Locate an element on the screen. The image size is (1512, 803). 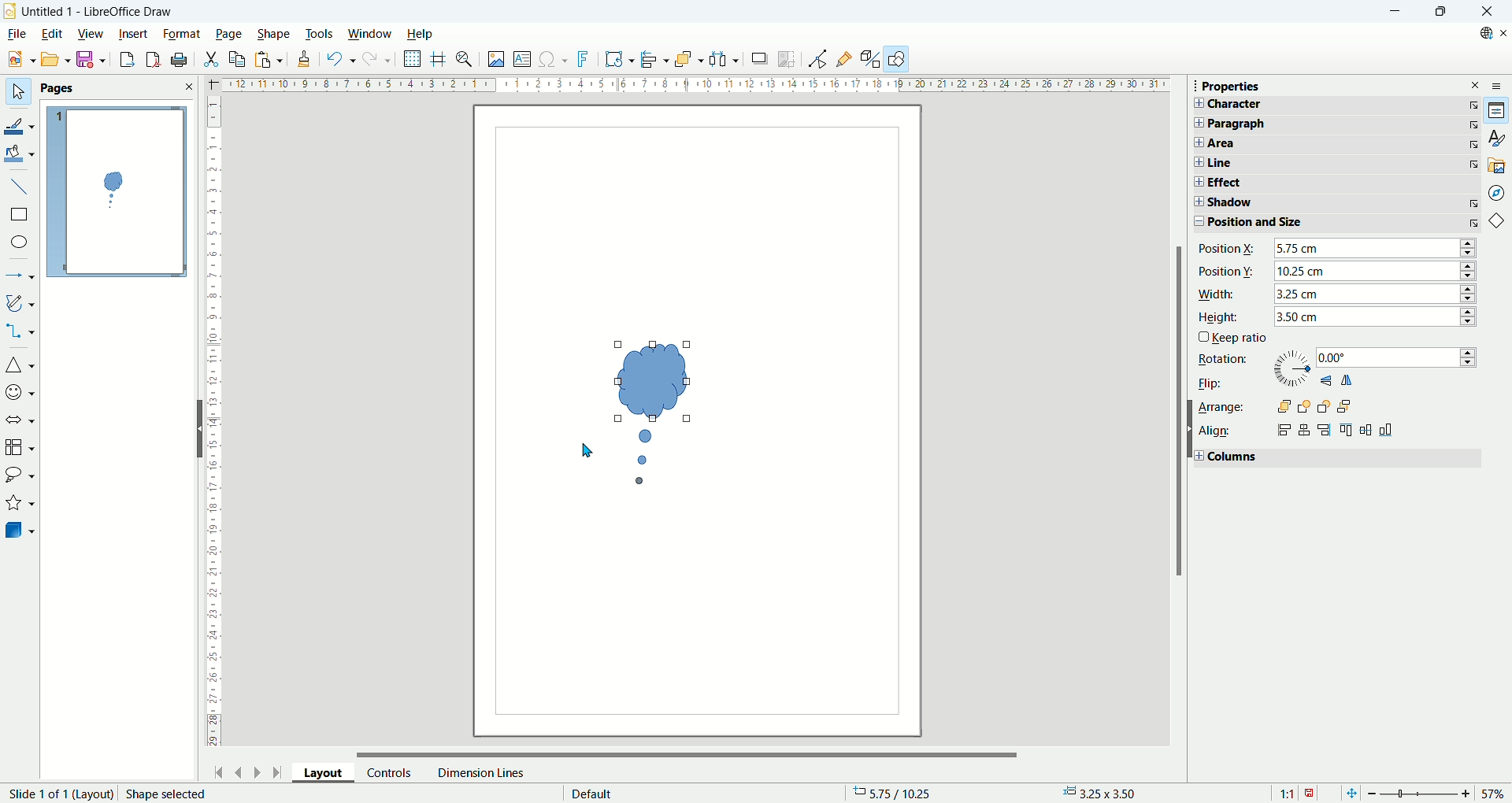
Width input is located at coordinates (1376, 294).